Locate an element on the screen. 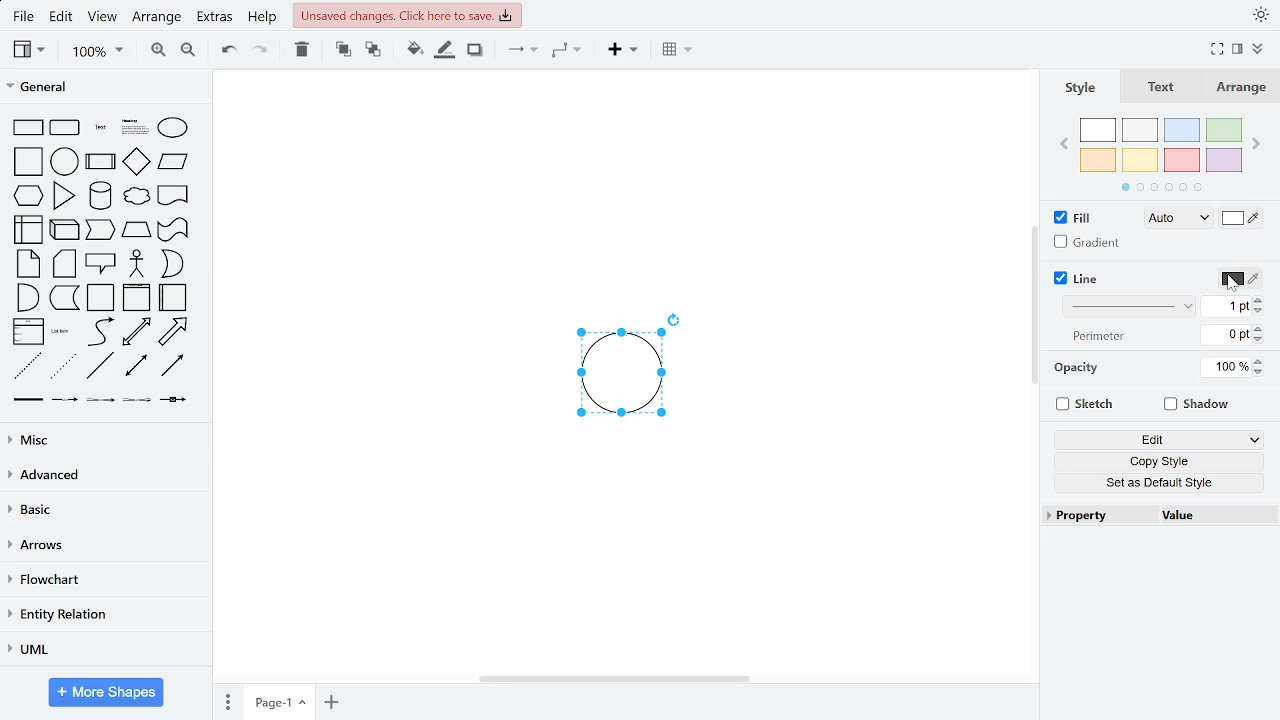 This screenshot has height=720, width=1280. document is located at coordinates (172, 197).